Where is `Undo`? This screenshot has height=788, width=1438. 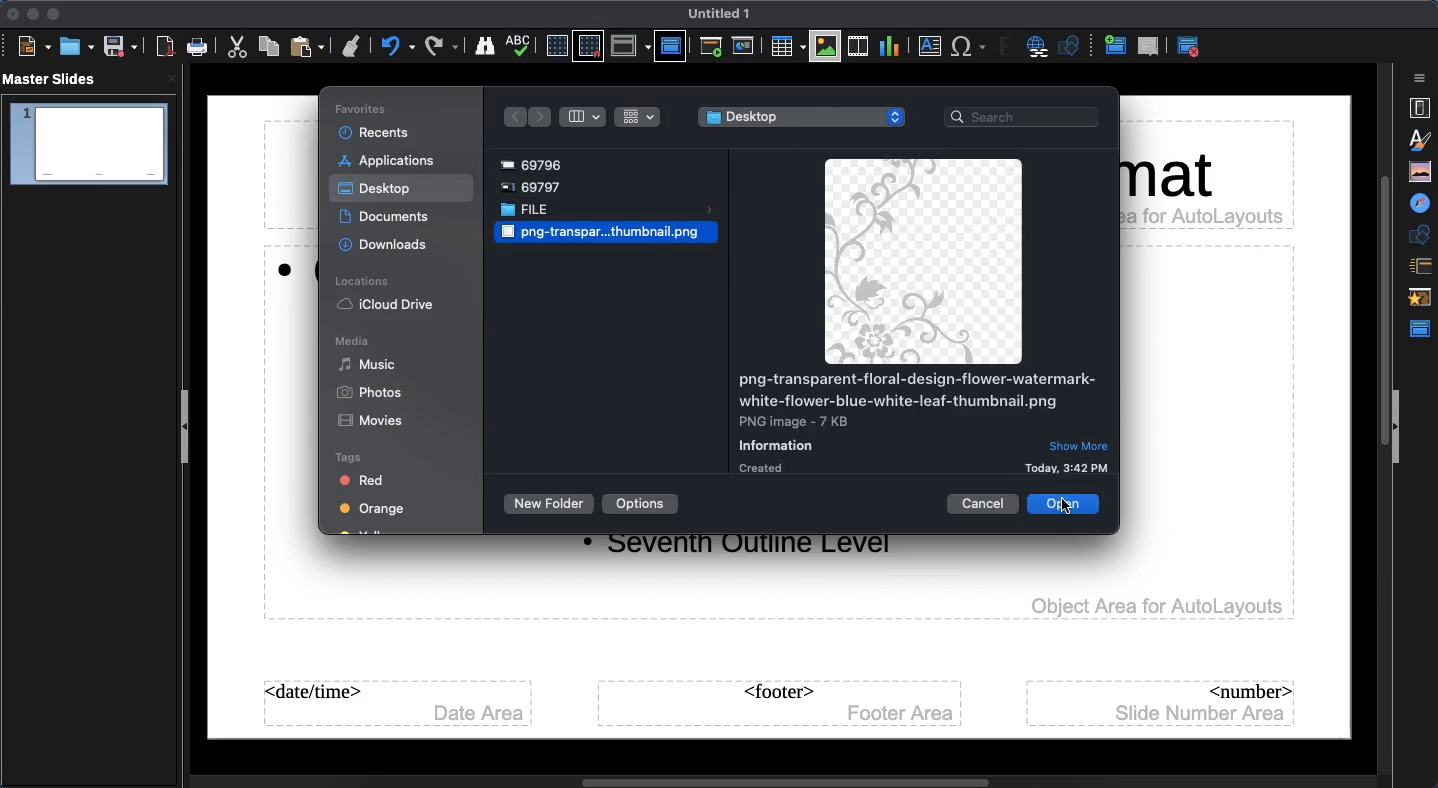 Undo is located at coordinates (397, 46).